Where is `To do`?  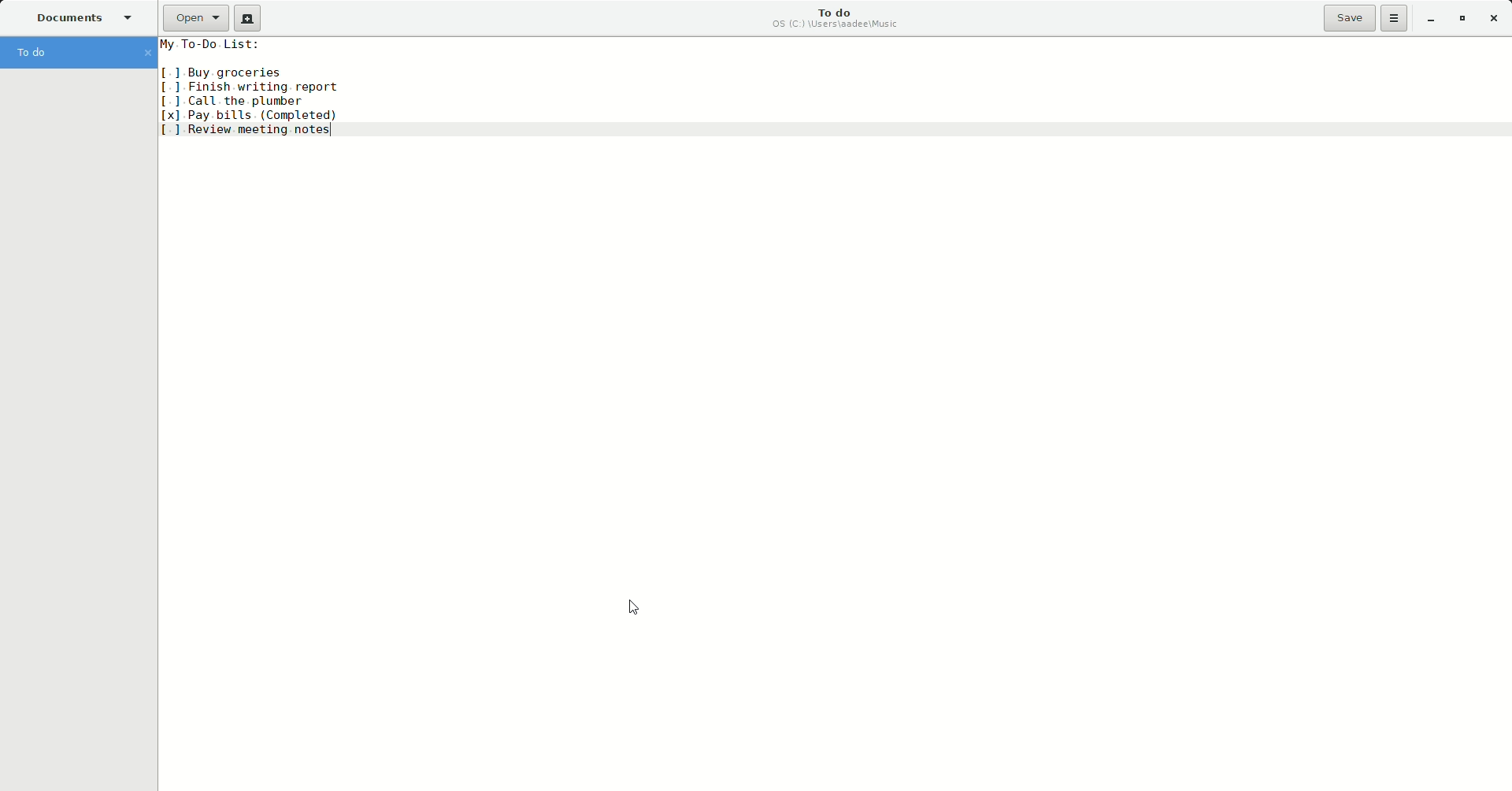 To do is located at coordinates (837, 19).